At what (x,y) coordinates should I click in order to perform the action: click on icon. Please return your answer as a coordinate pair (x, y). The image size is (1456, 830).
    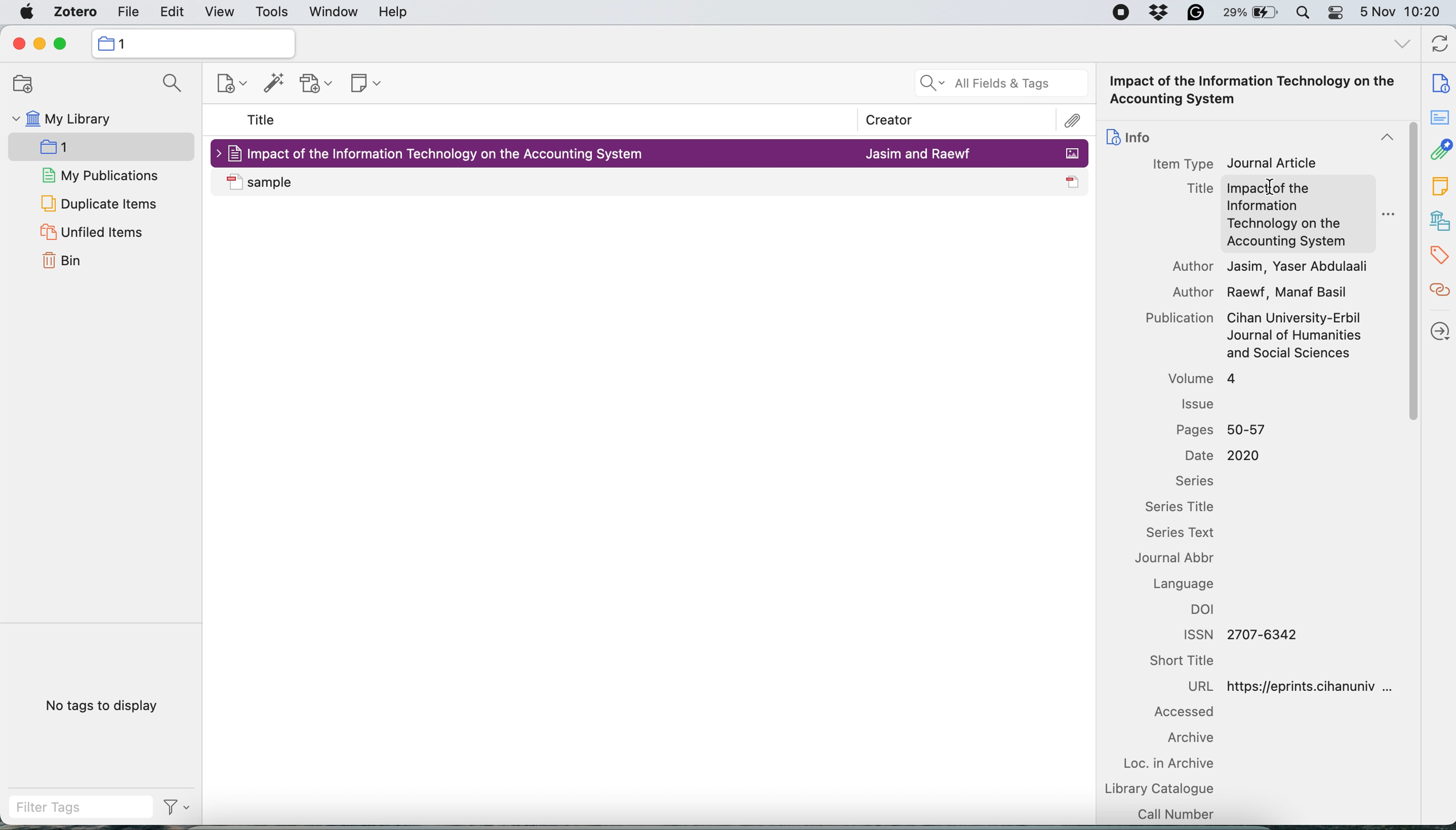
    Looking at the image, I should click on (105, 43).